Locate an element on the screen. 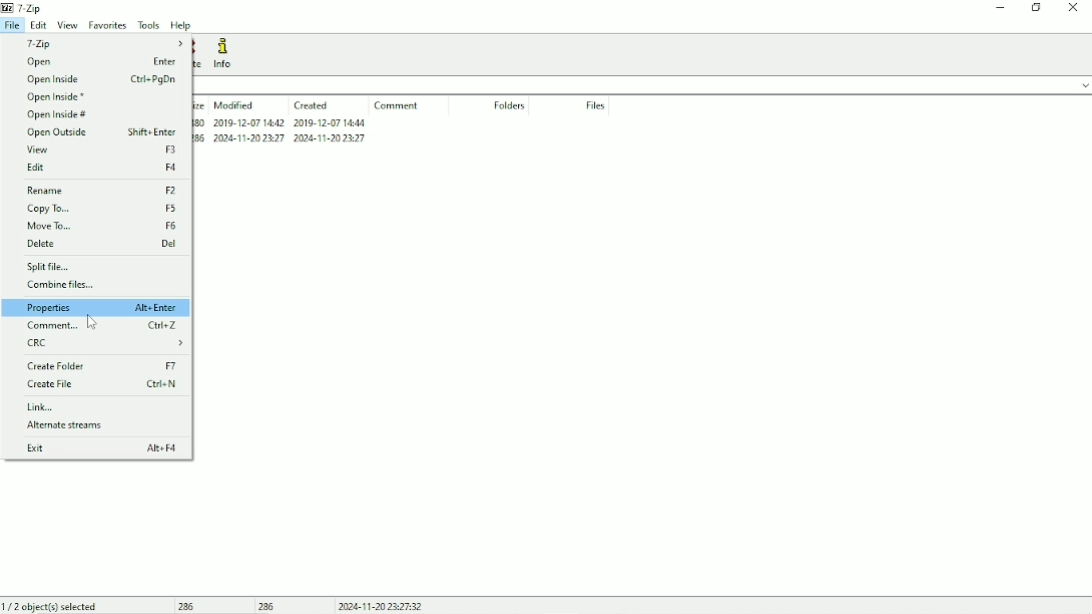  cursor is located at coordinates (92, 321).